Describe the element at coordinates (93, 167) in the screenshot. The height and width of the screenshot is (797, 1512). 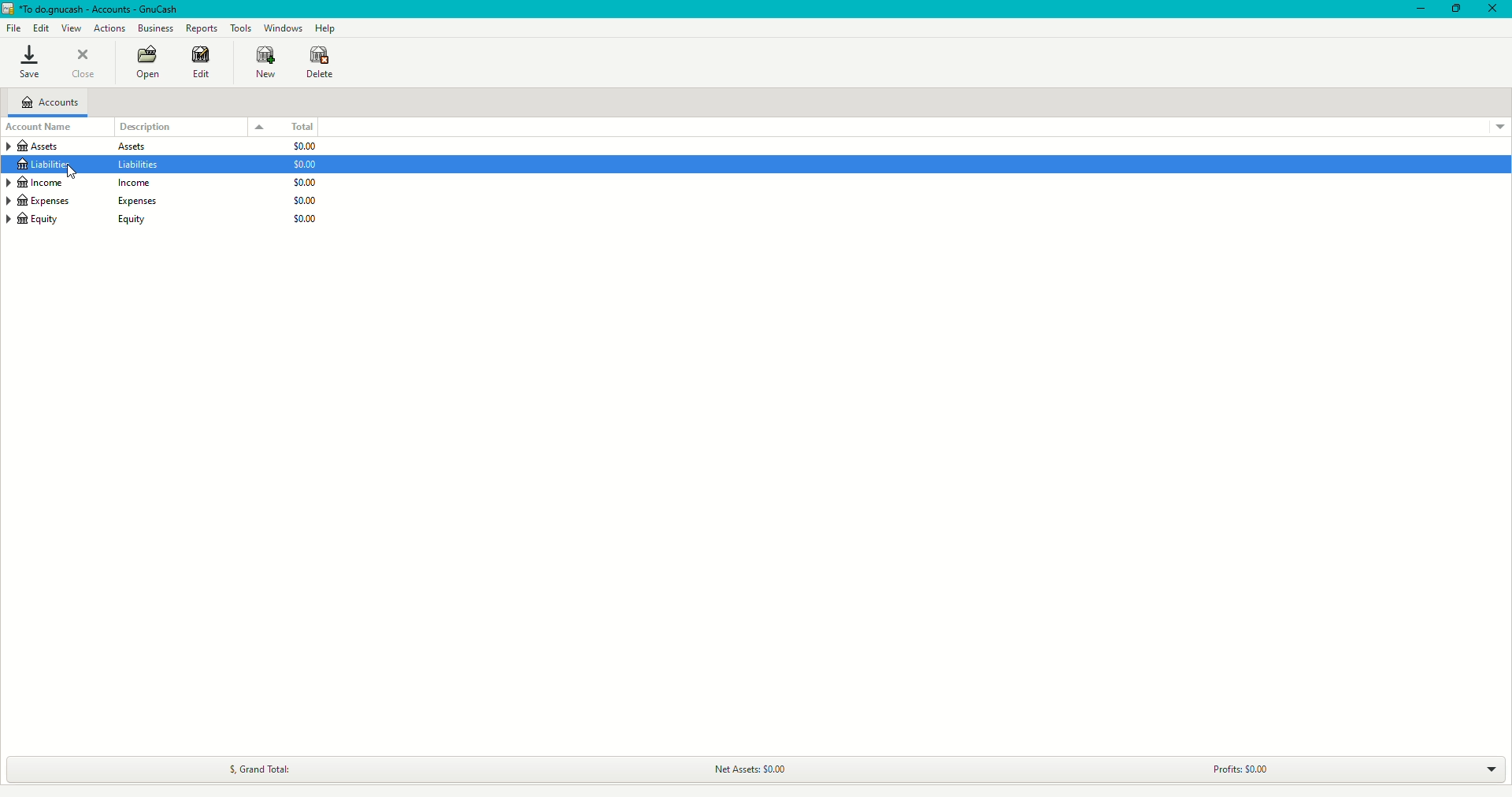
I see `Liabilities` at that location.